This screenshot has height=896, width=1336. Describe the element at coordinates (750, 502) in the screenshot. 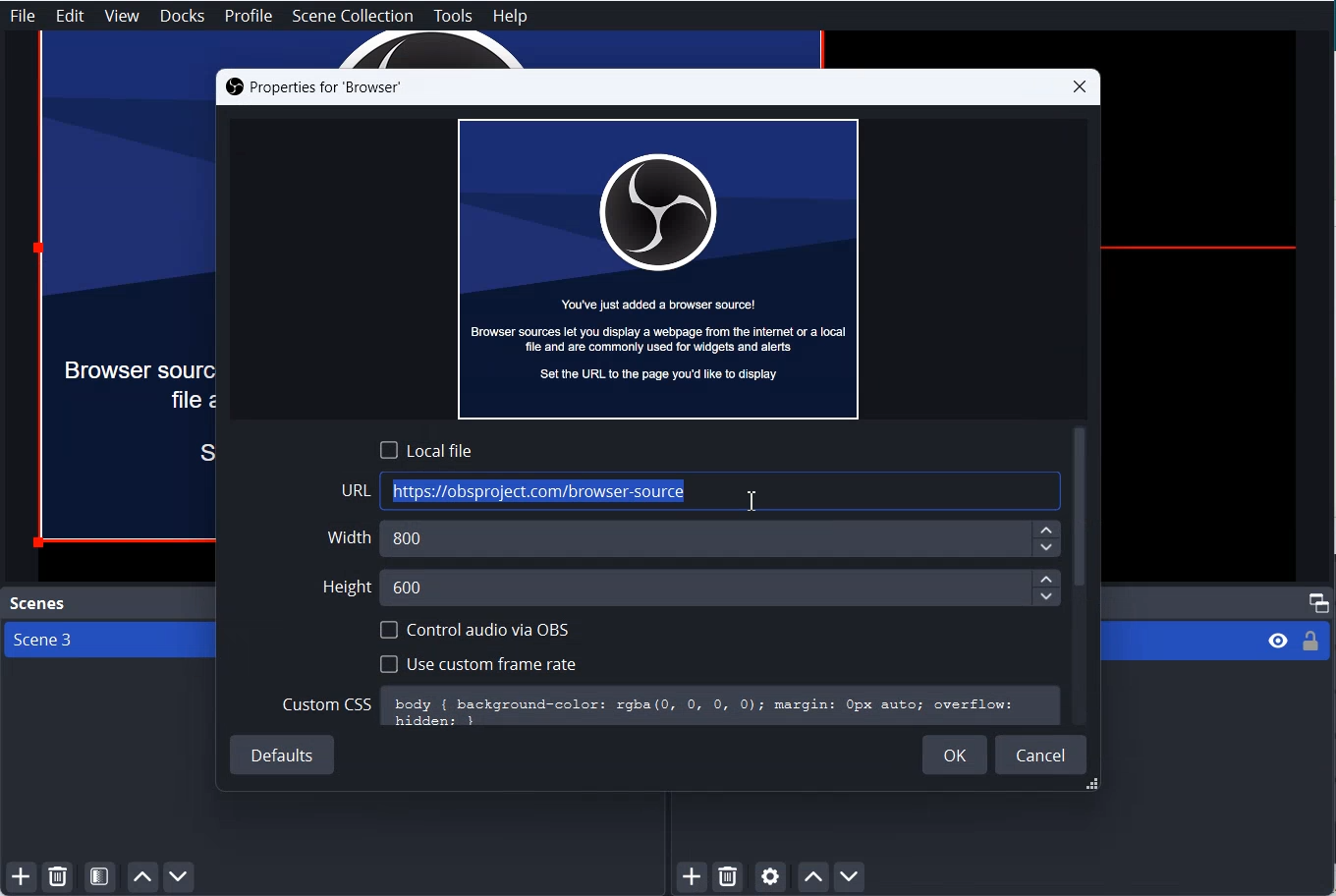

I see `insertion cursor` at that location.